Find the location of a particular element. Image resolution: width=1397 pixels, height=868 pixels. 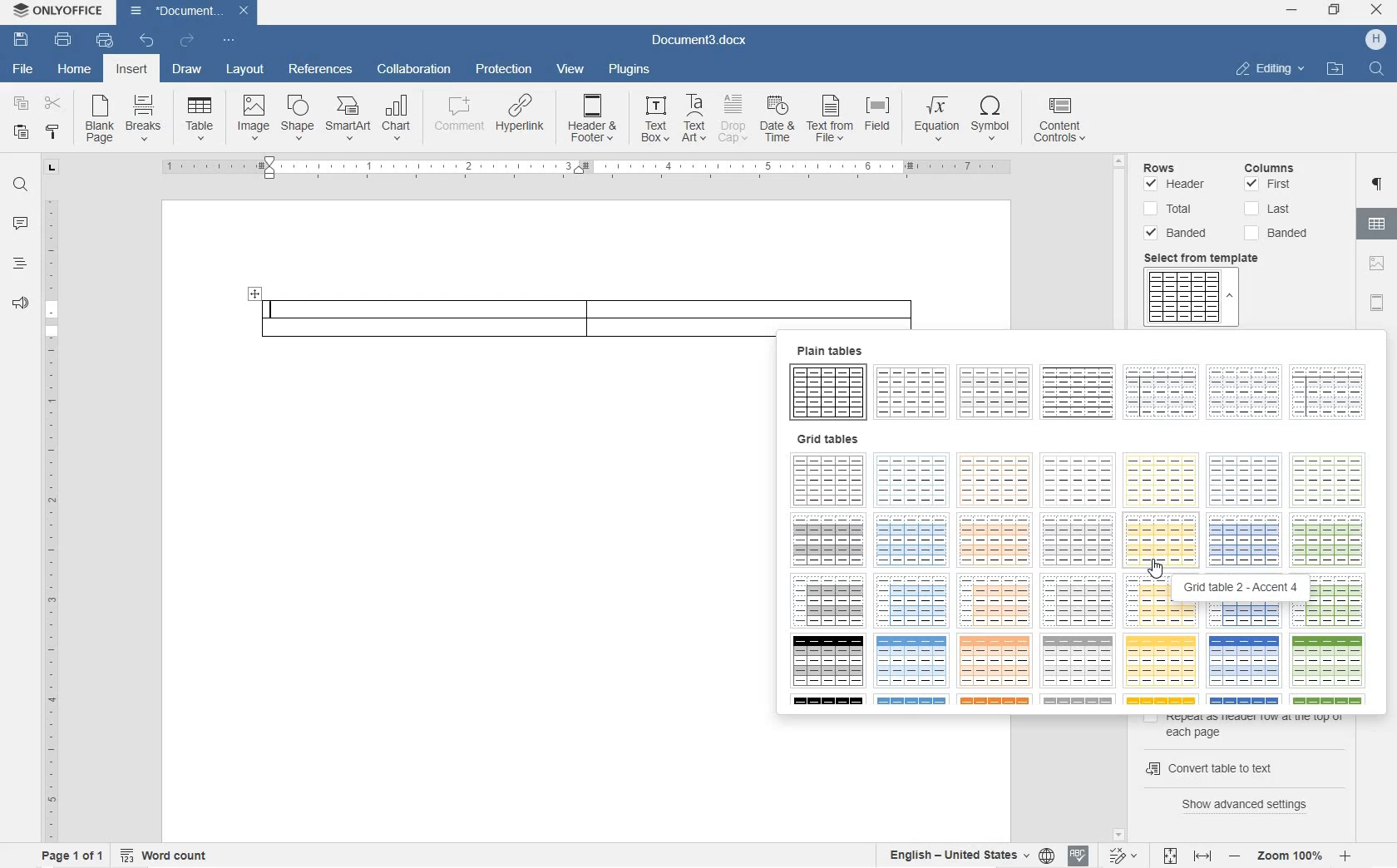

Equation is located at coordinates (936, 117).